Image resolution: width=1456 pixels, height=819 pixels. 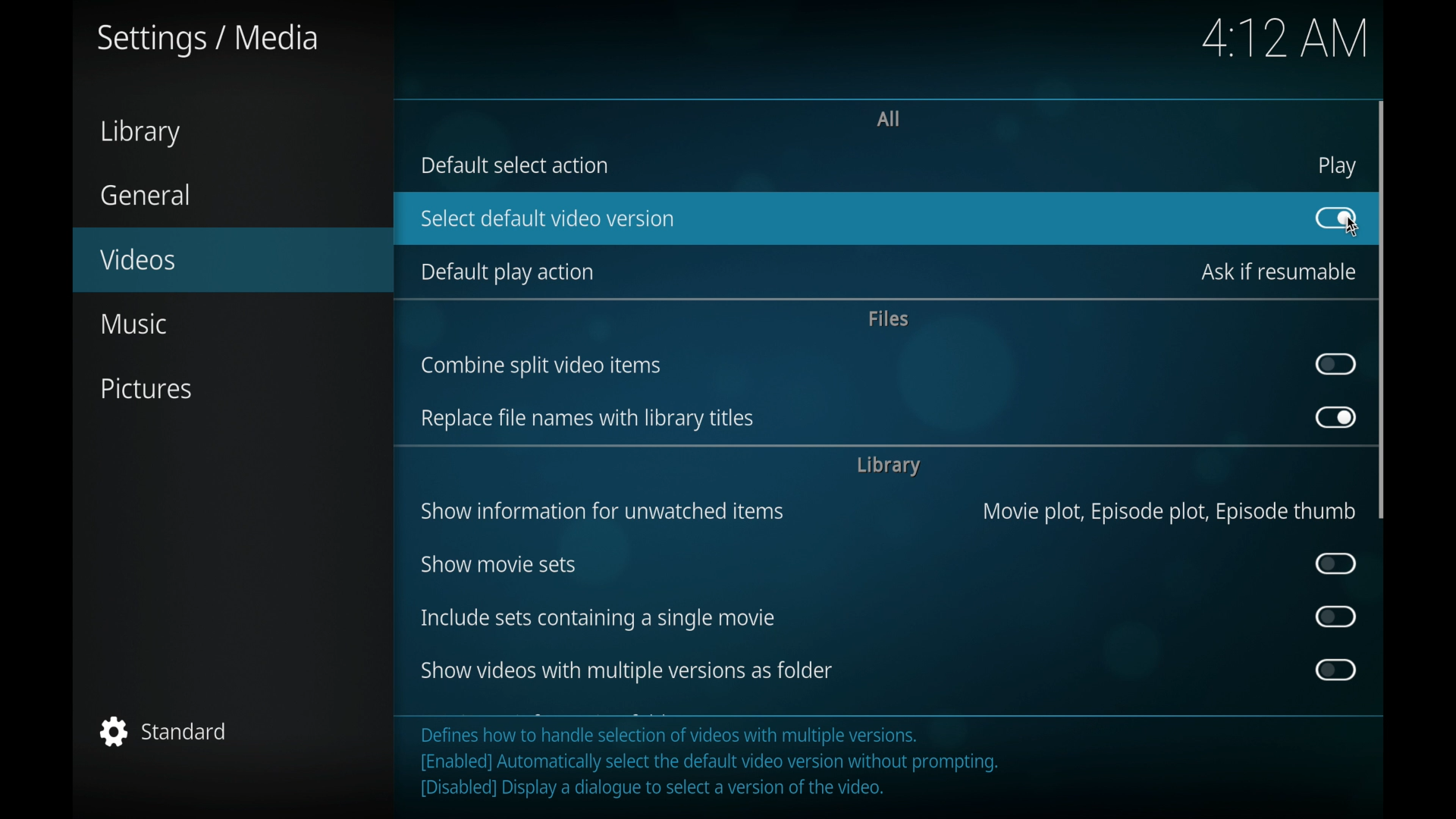 I want to click on standard, so click(x=160, y=731).